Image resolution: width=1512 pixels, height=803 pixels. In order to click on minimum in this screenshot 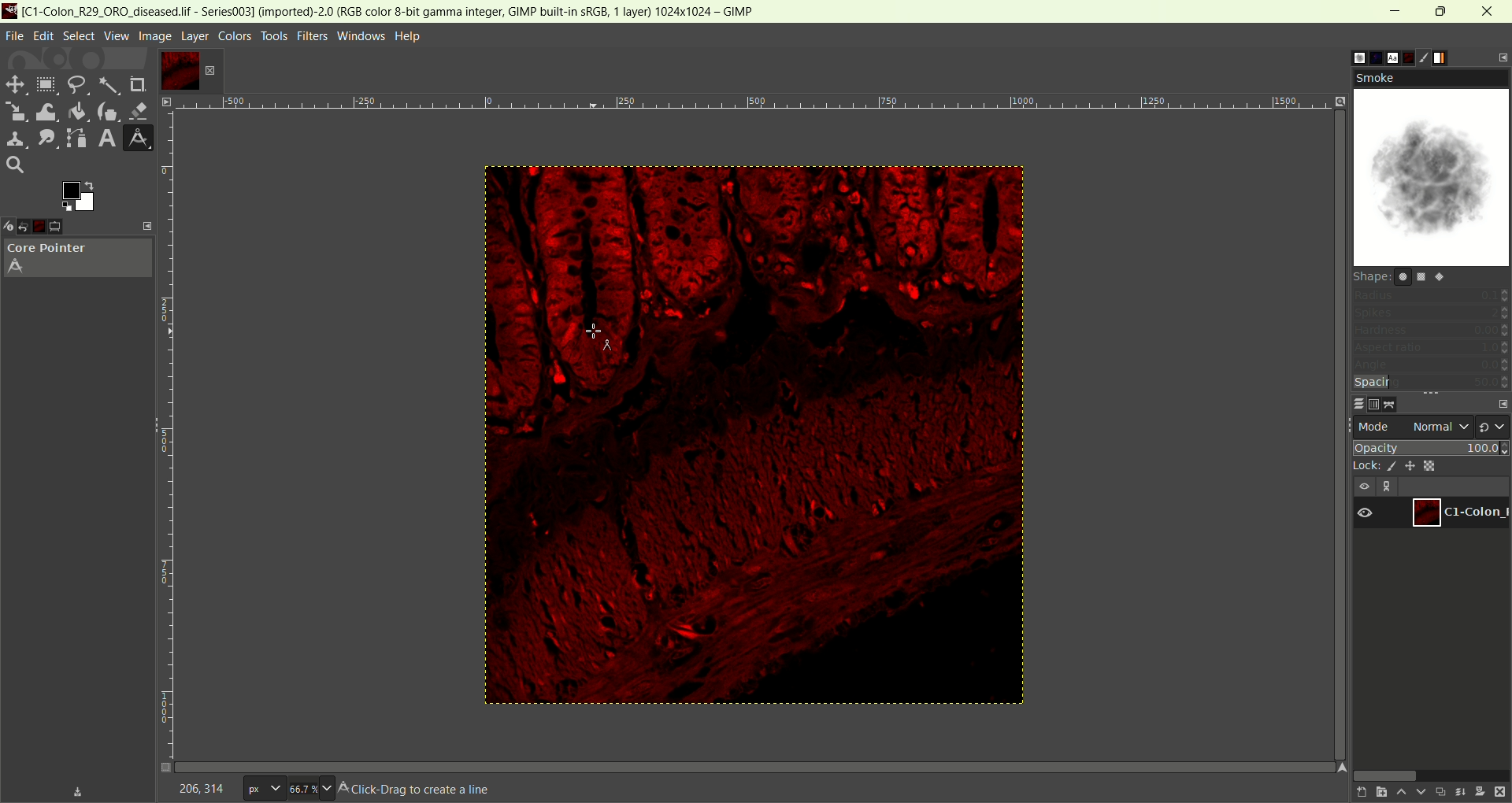, I will do `click(1395, 12)`.